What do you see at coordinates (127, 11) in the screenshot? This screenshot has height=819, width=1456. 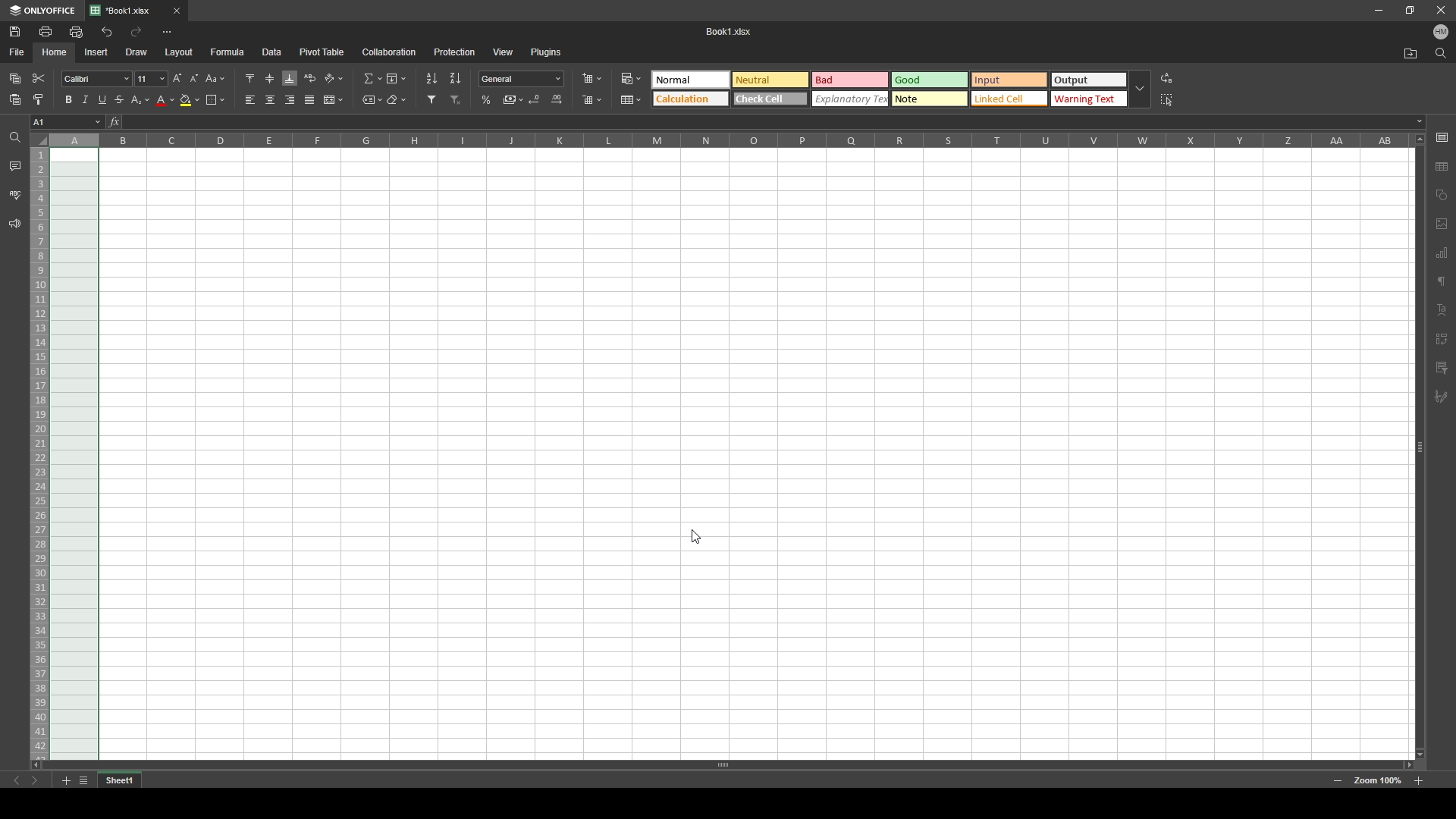 I see `tab` at bounding box center [127, 11].